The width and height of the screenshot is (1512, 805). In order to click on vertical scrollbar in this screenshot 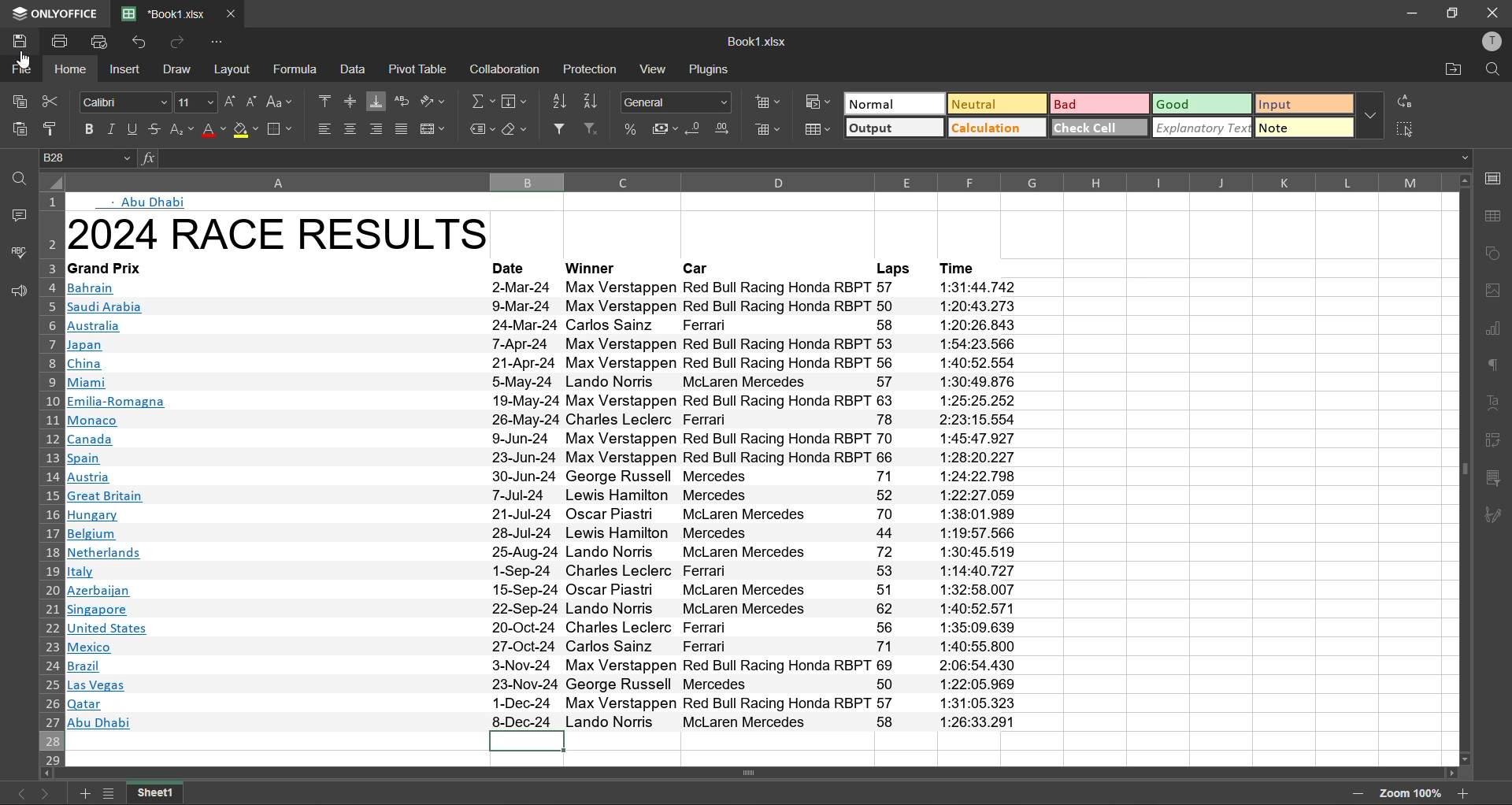, I will do `click(1463, 466)`.